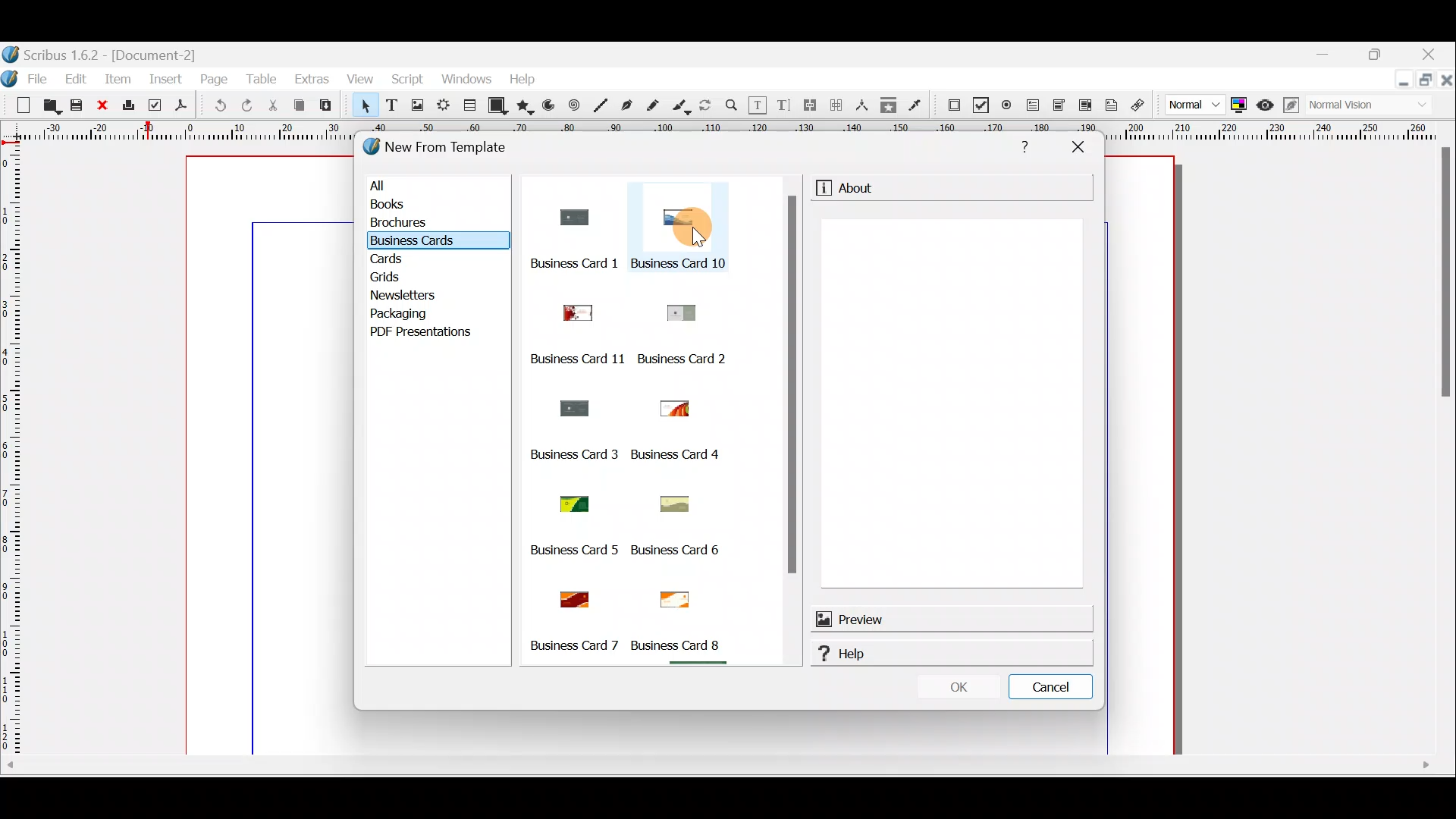 This screenshot has height=819, width=1456. Describe the element at coordinates (822, 618) in the screenshot. I see `preview logo` at that location.